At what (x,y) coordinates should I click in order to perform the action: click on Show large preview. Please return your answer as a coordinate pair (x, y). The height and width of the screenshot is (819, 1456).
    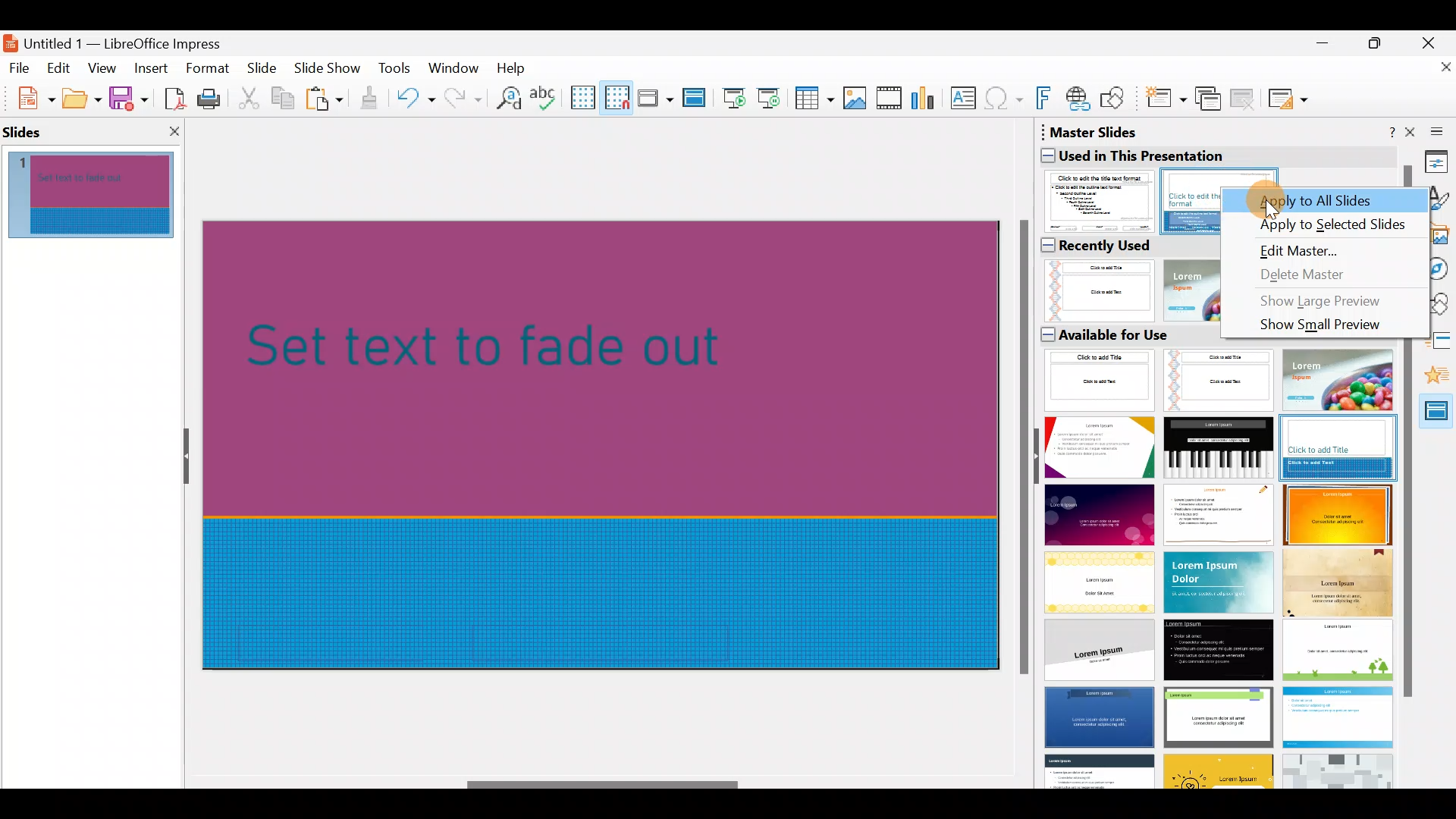
    Looking at the image, I should click on (1323, 301).